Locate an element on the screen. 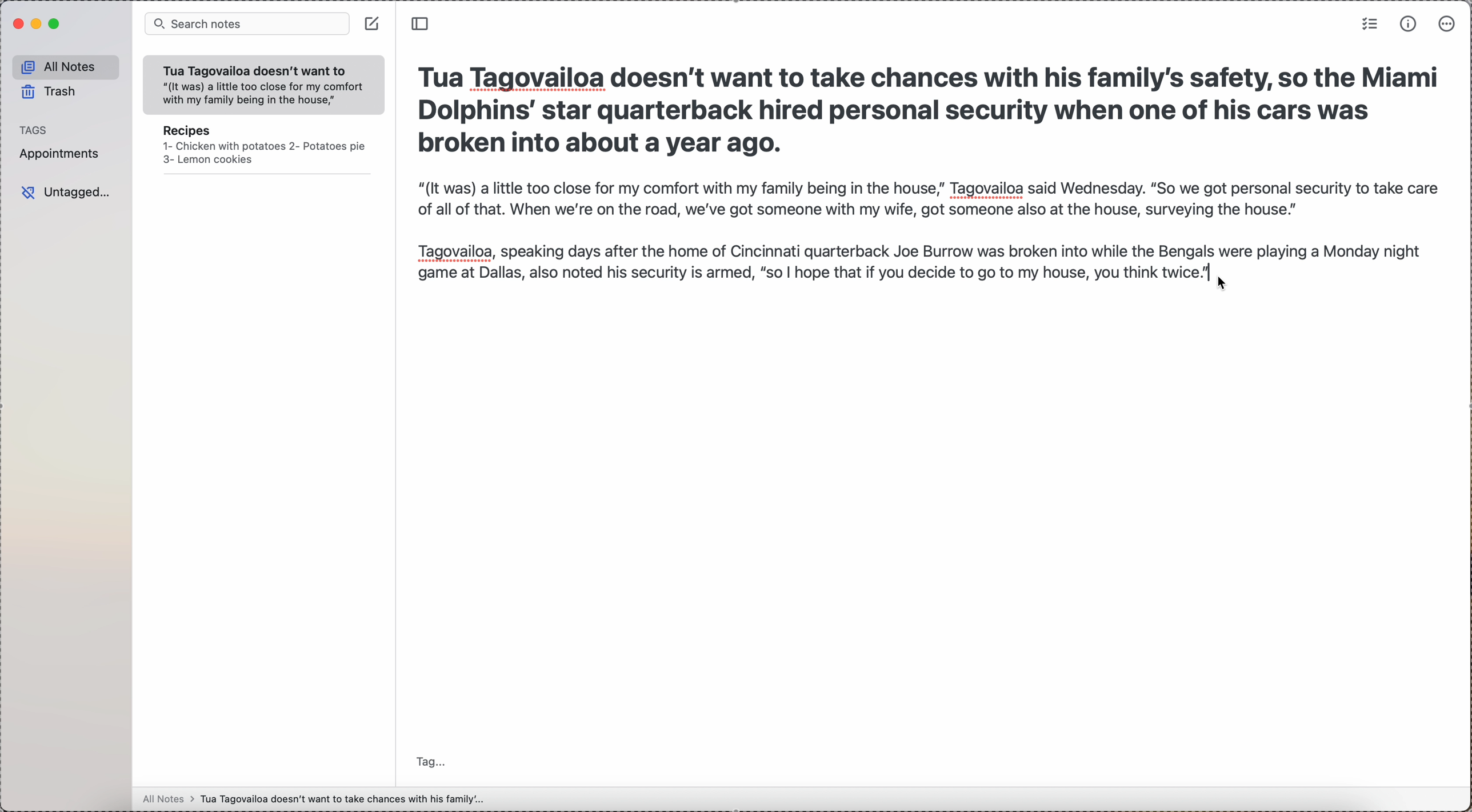 This screenshot has height=812, width=1472. all notes is located at coordinates (65, 66).